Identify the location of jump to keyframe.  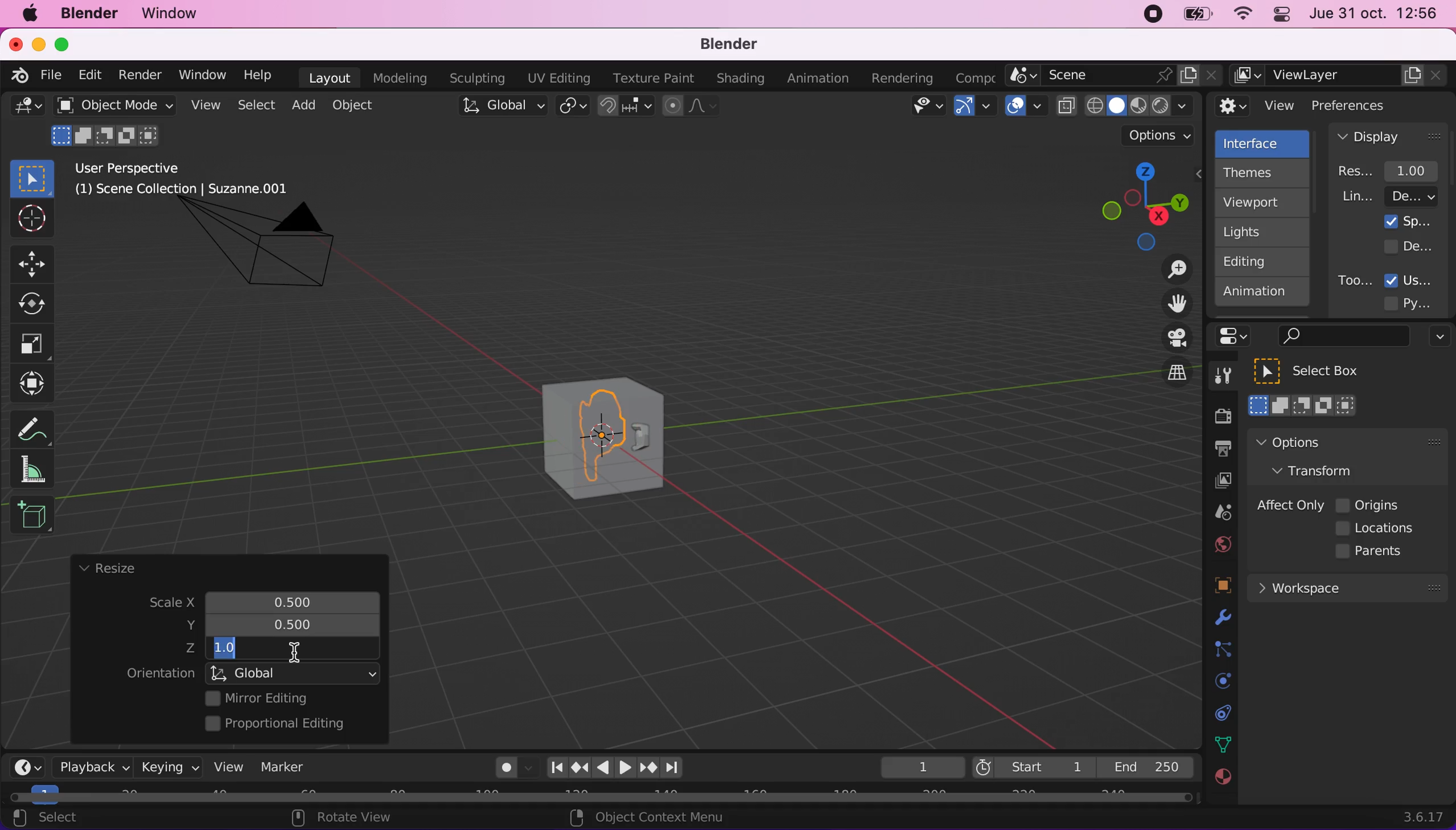
(649, 770).